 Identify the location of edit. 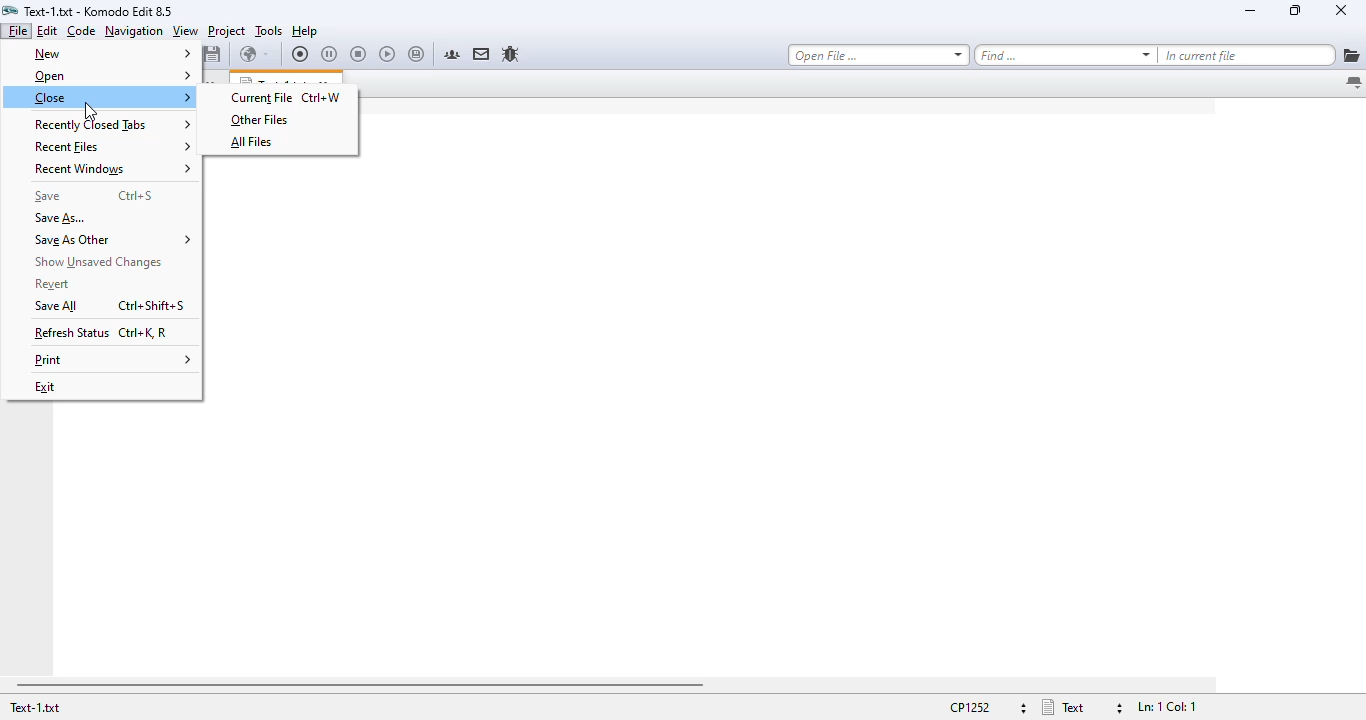
(46, 30).